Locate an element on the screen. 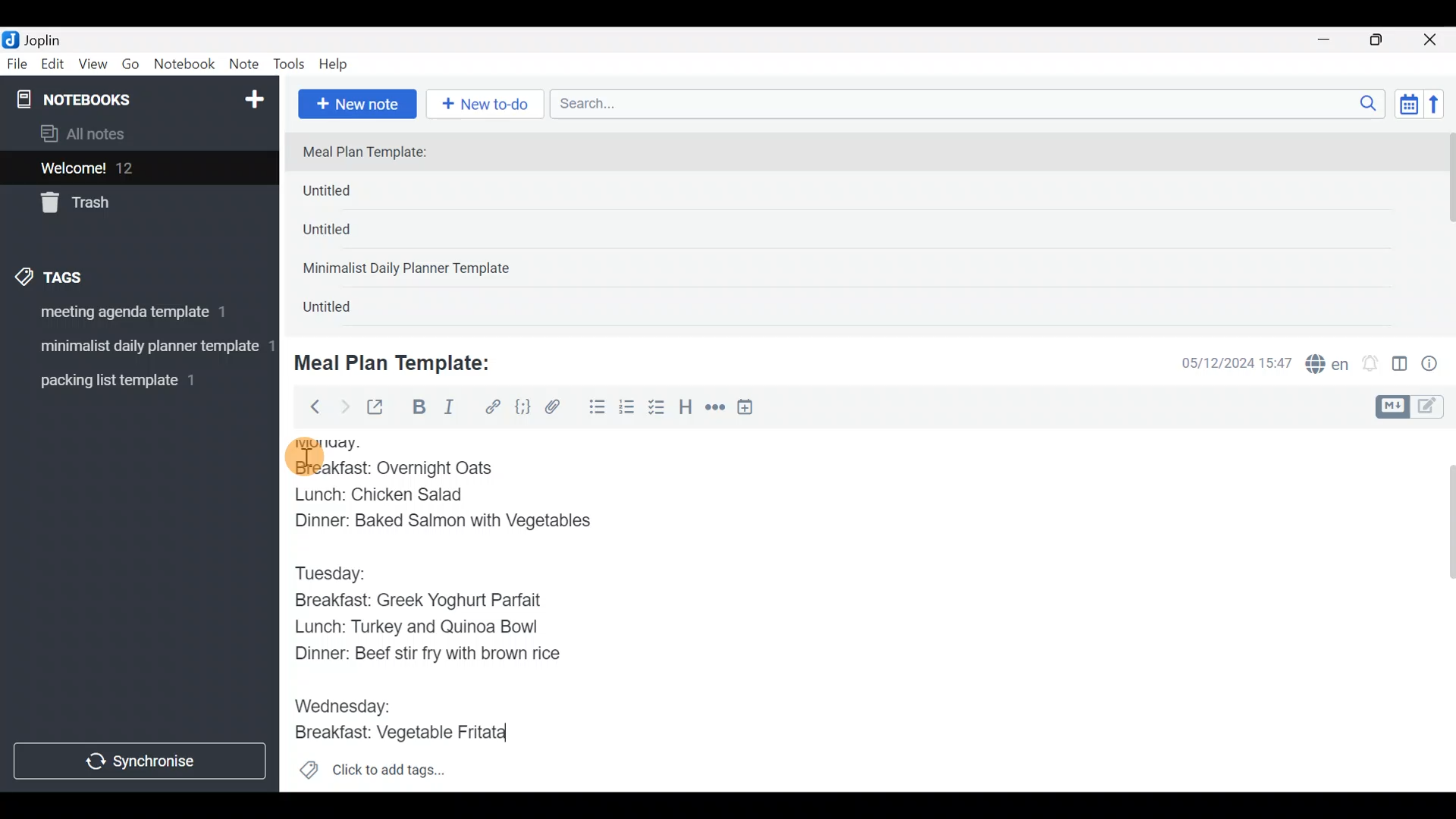  Tags is located at coordinates (85, 275).